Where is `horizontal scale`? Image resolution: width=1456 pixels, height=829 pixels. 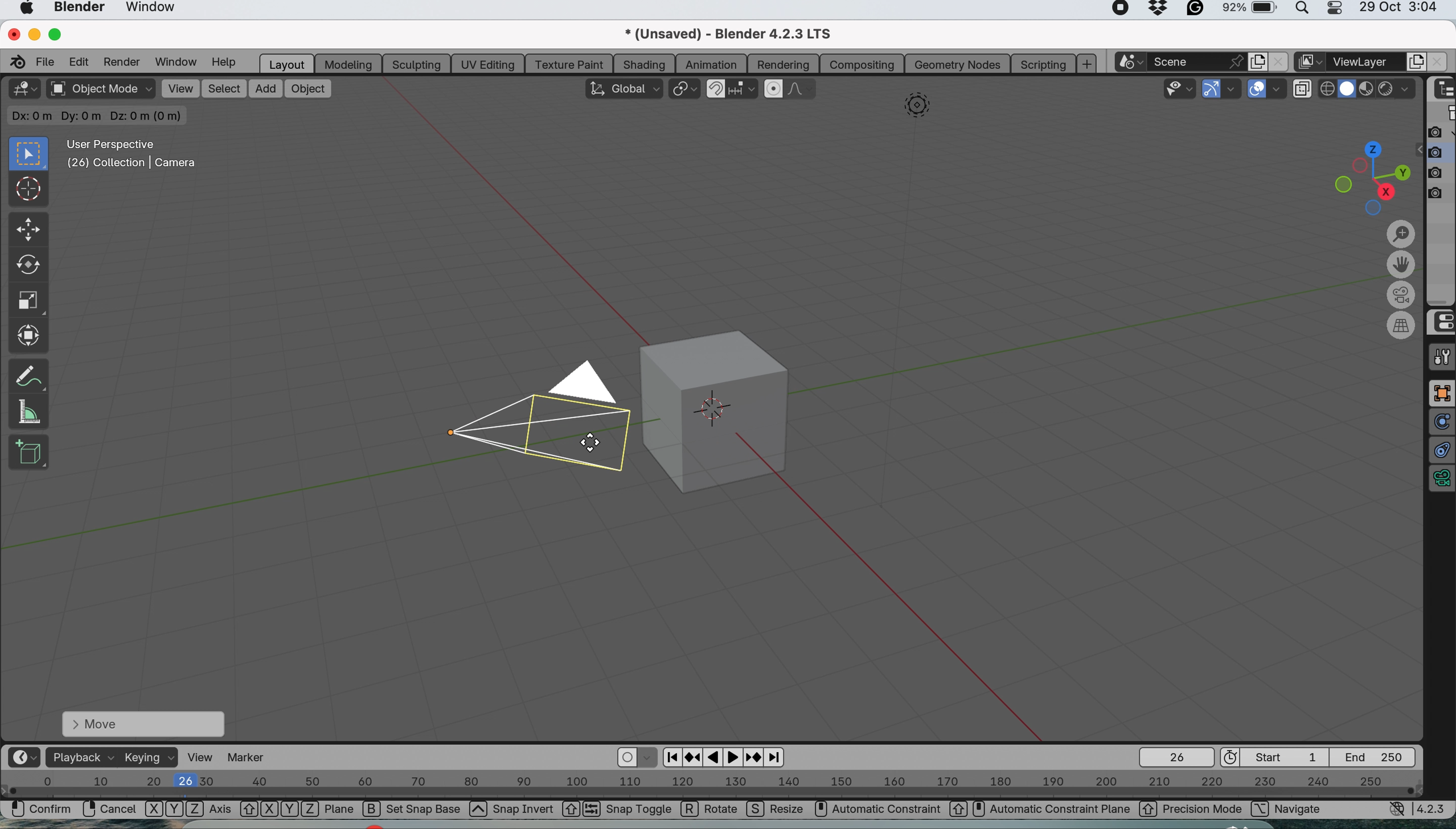
horizontal scale is located at coordinates (712, 786).